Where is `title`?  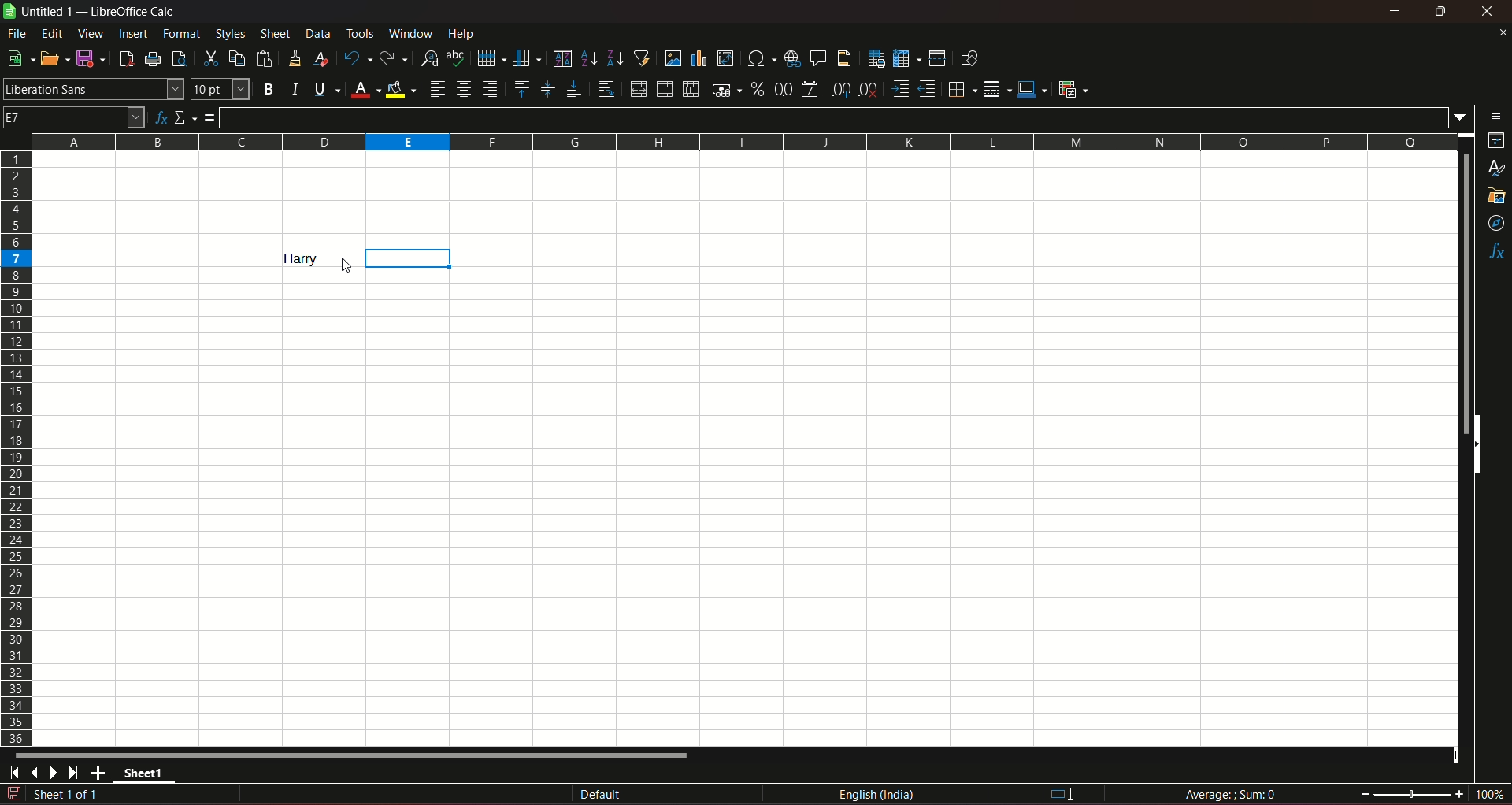
title is located at coordinates (134, 12).